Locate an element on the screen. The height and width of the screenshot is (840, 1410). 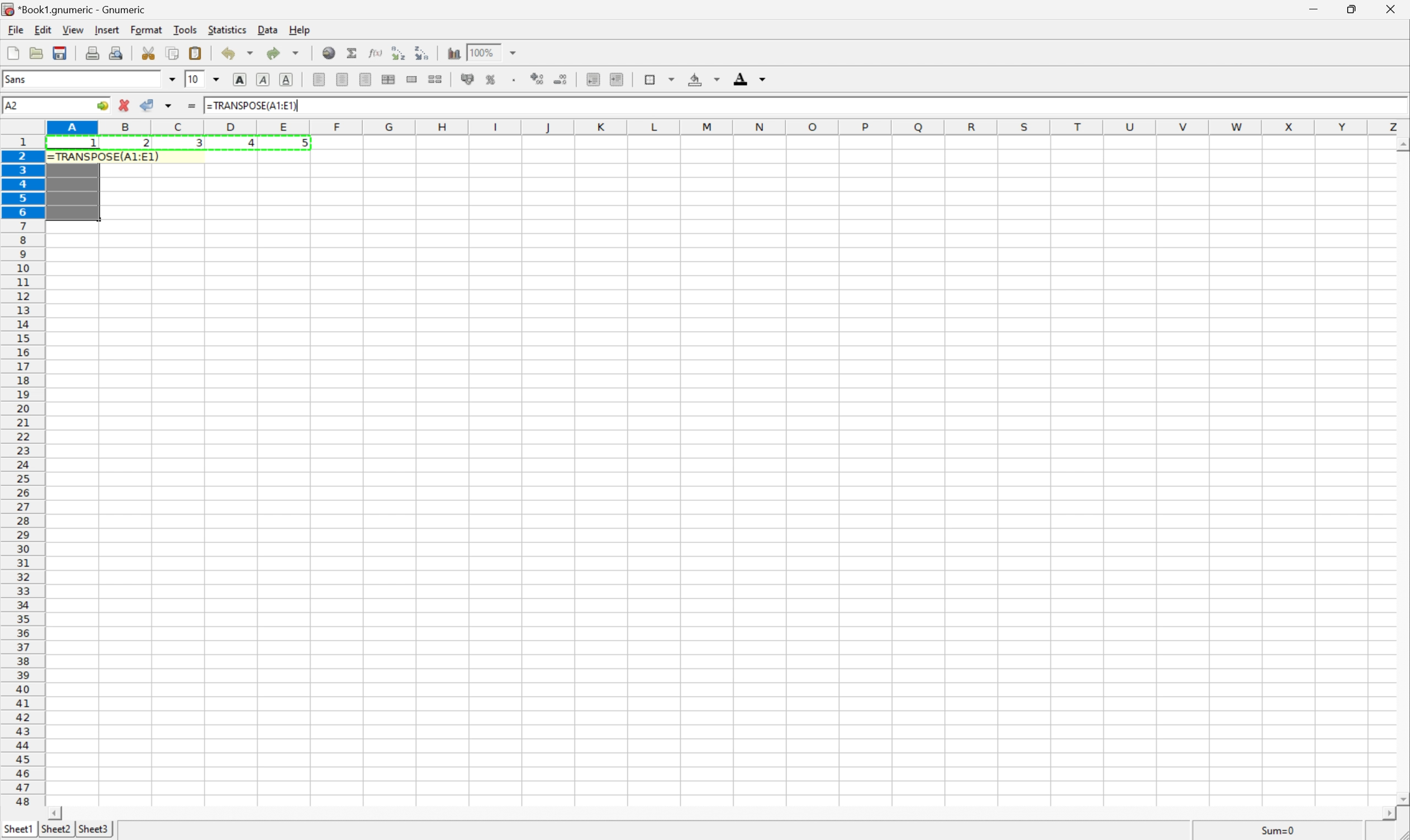
copy is located at coordinates (174, 52).